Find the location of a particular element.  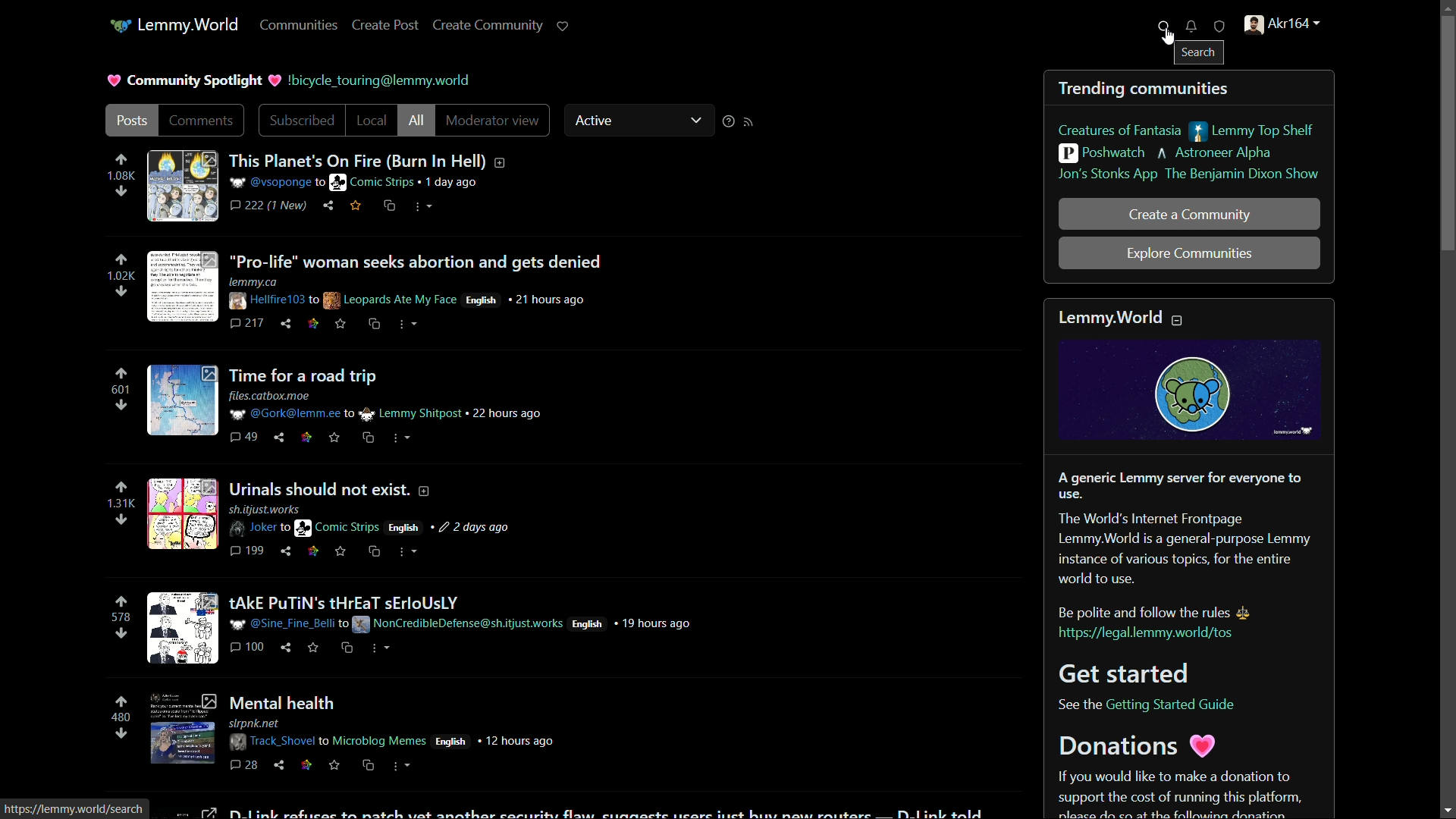

scroll bar is located at coordinates (1447, 409).